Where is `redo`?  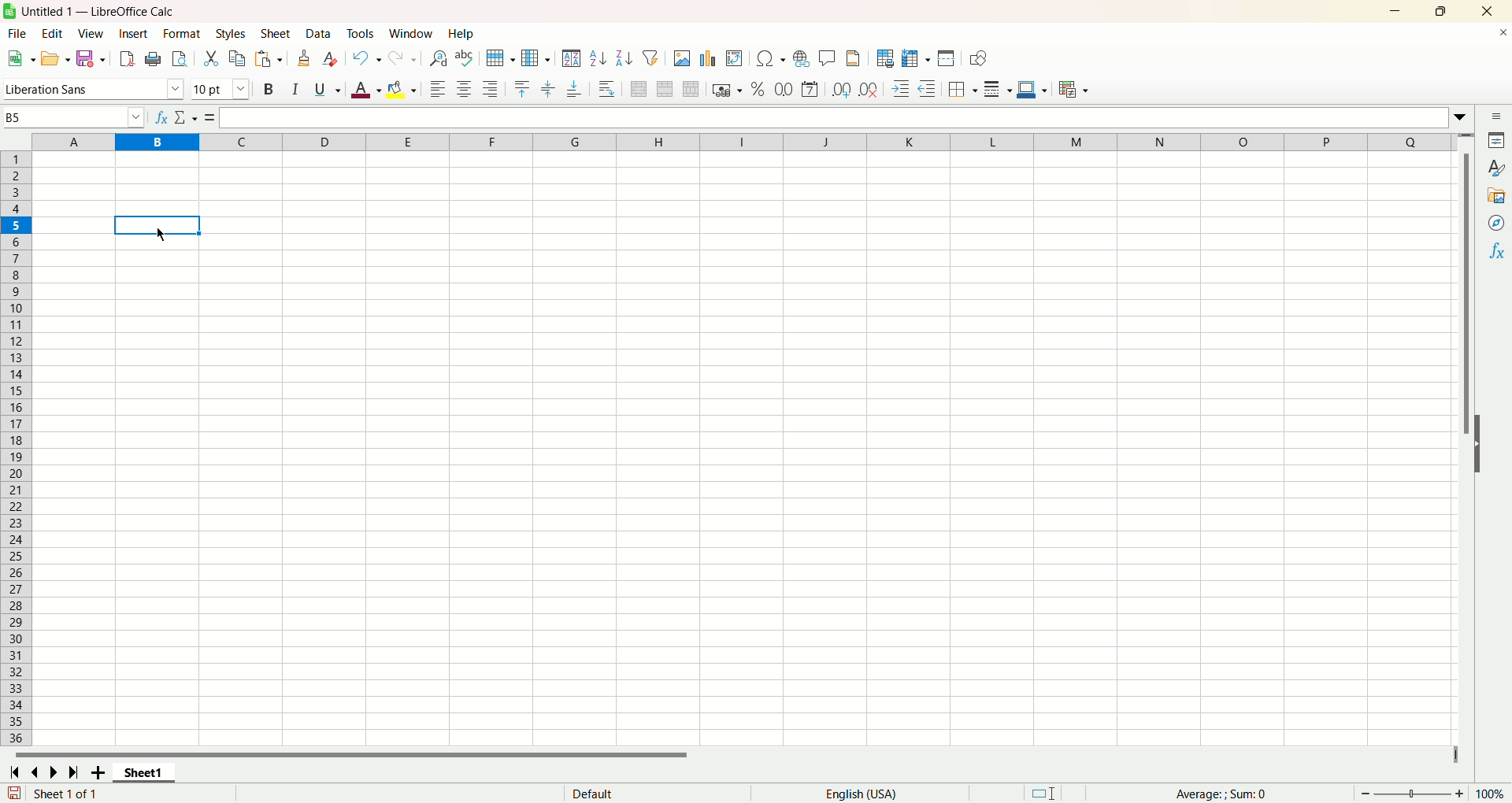 redo is located at coordinates (402, 58).